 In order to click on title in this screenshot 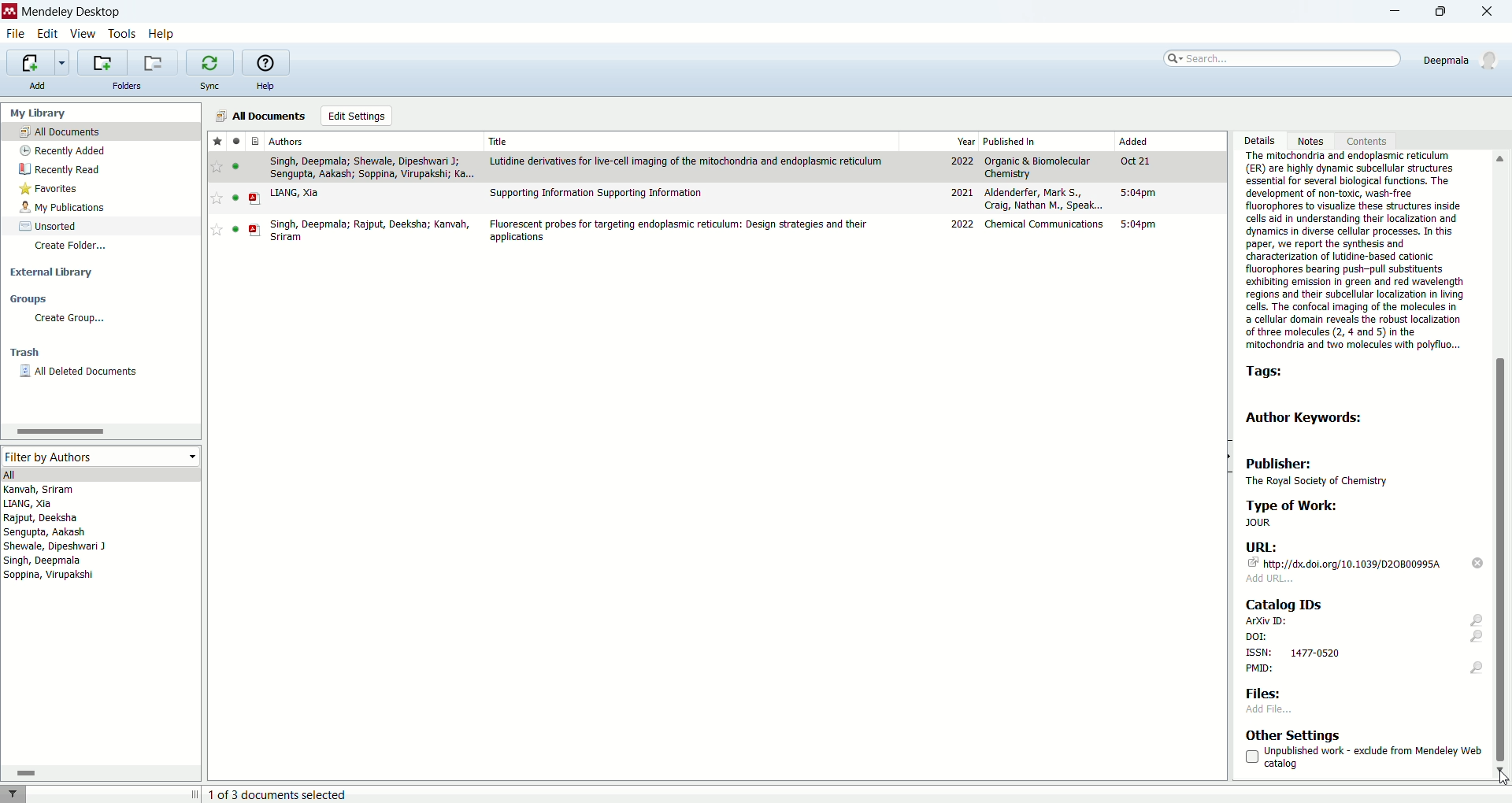, I will do `click(500, 141)`.